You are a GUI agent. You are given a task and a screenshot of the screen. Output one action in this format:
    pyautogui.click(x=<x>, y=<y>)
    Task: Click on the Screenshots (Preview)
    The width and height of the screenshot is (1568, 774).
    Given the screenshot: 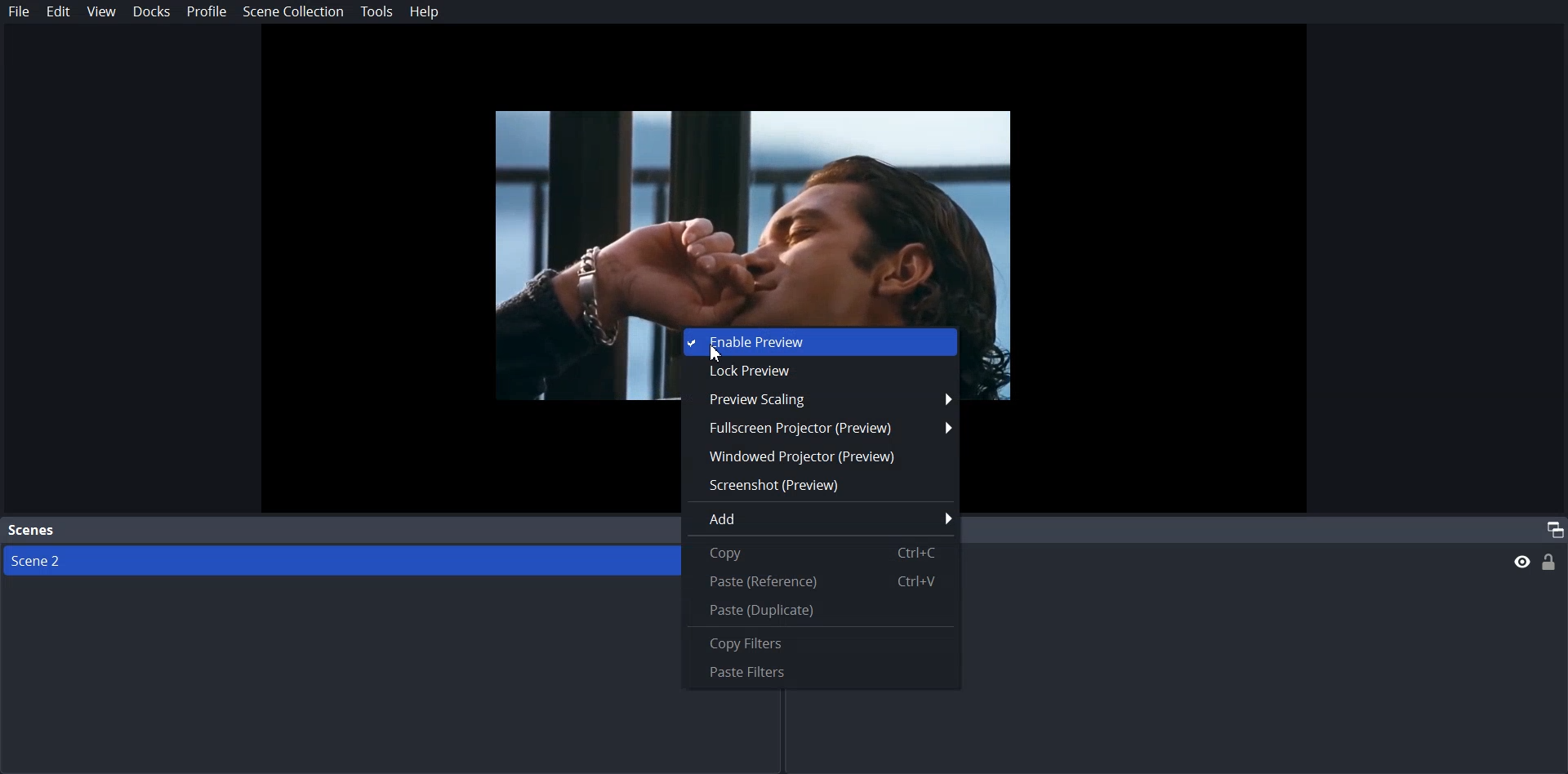 What is the action you would take?
    pyautogui.click(x=819, y=486)
    